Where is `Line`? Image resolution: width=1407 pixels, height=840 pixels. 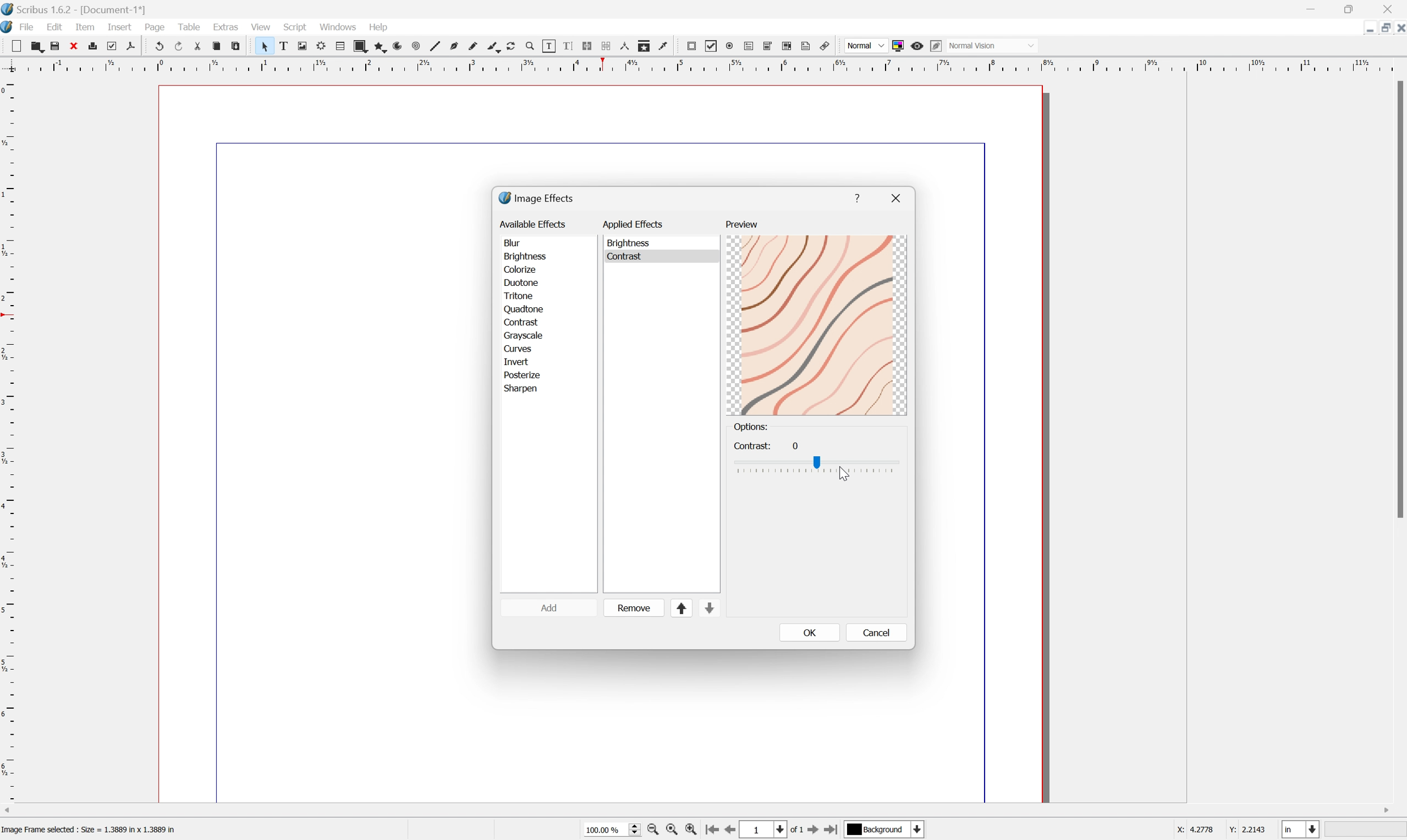 Line is located at coordinates (438, 44).